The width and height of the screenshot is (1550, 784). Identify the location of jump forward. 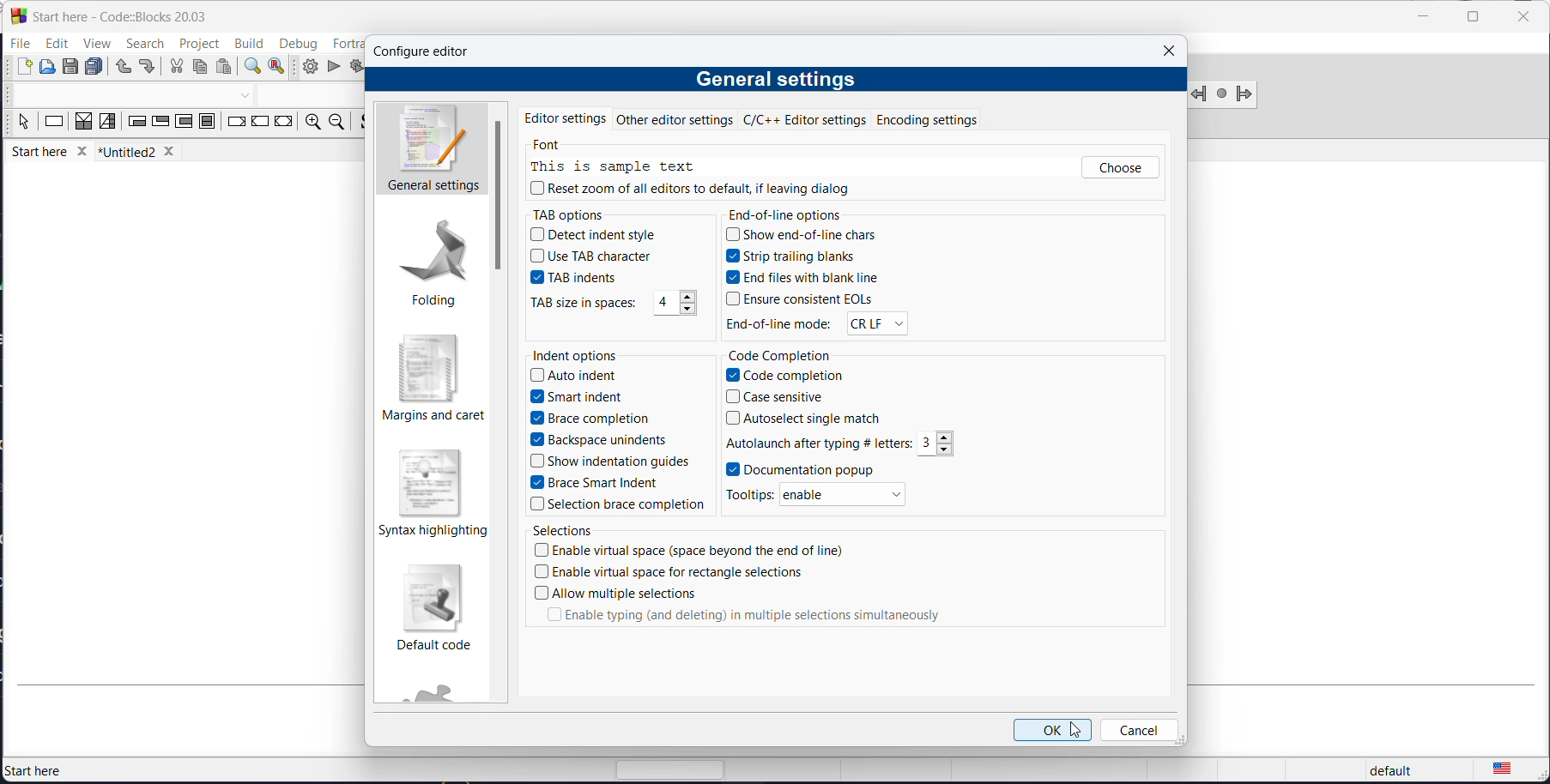
(1244, 94).